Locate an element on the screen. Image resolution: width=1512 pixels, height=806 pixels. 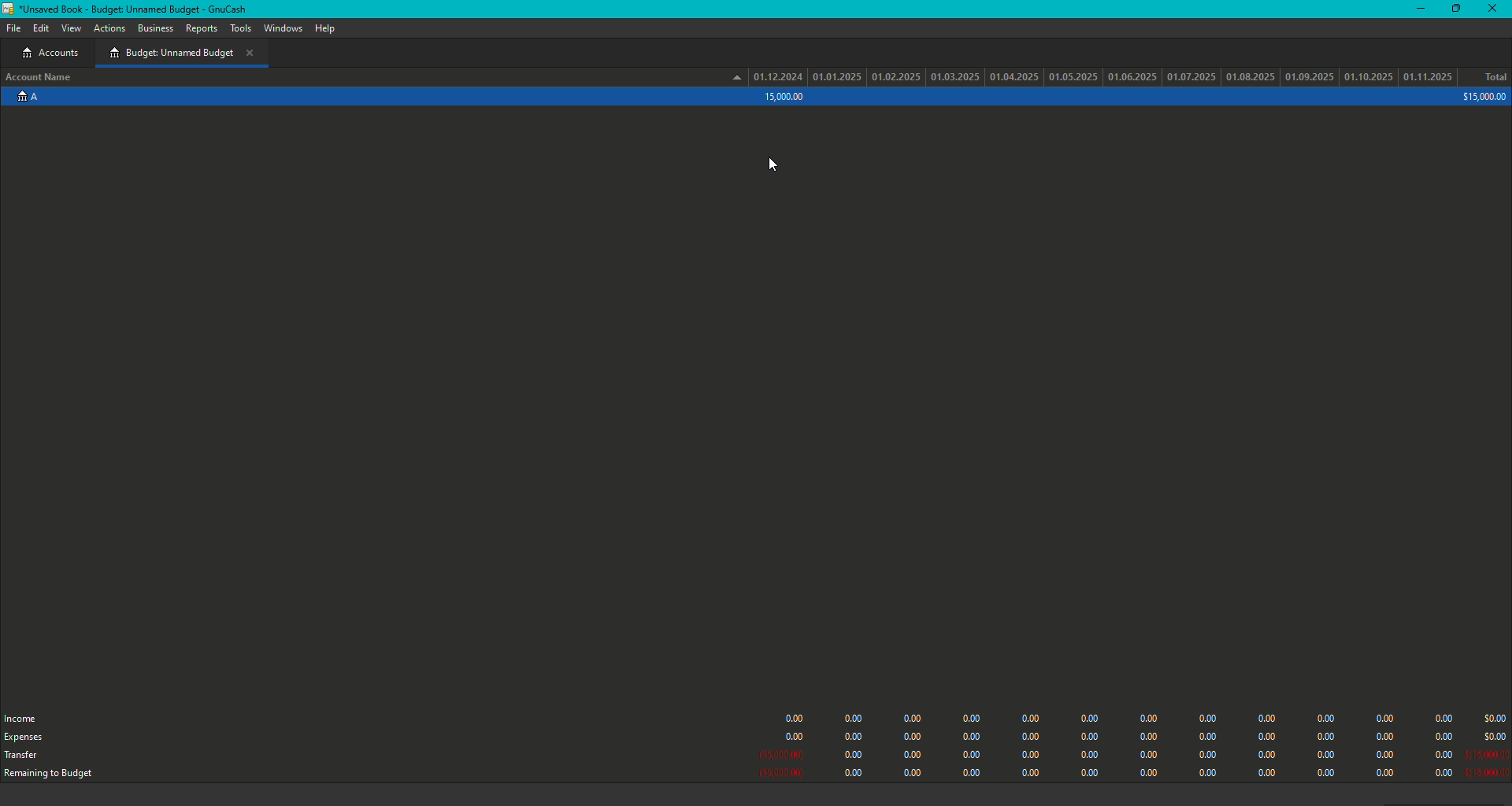
Restore is located at coordinates (1454, 9).